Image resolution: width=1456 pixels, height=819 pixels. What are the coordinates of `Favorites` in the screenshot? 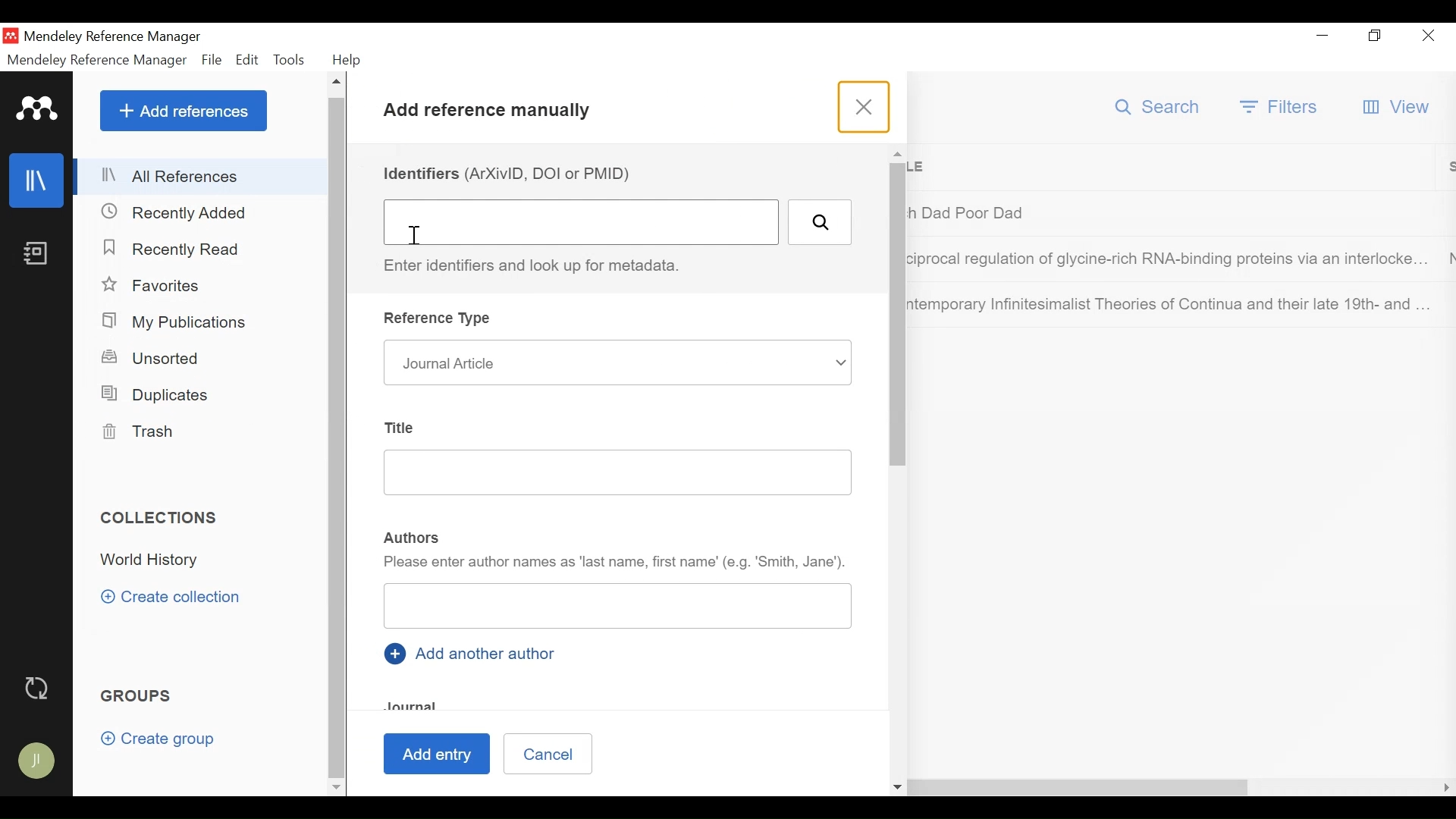 It's located at (153, 285).